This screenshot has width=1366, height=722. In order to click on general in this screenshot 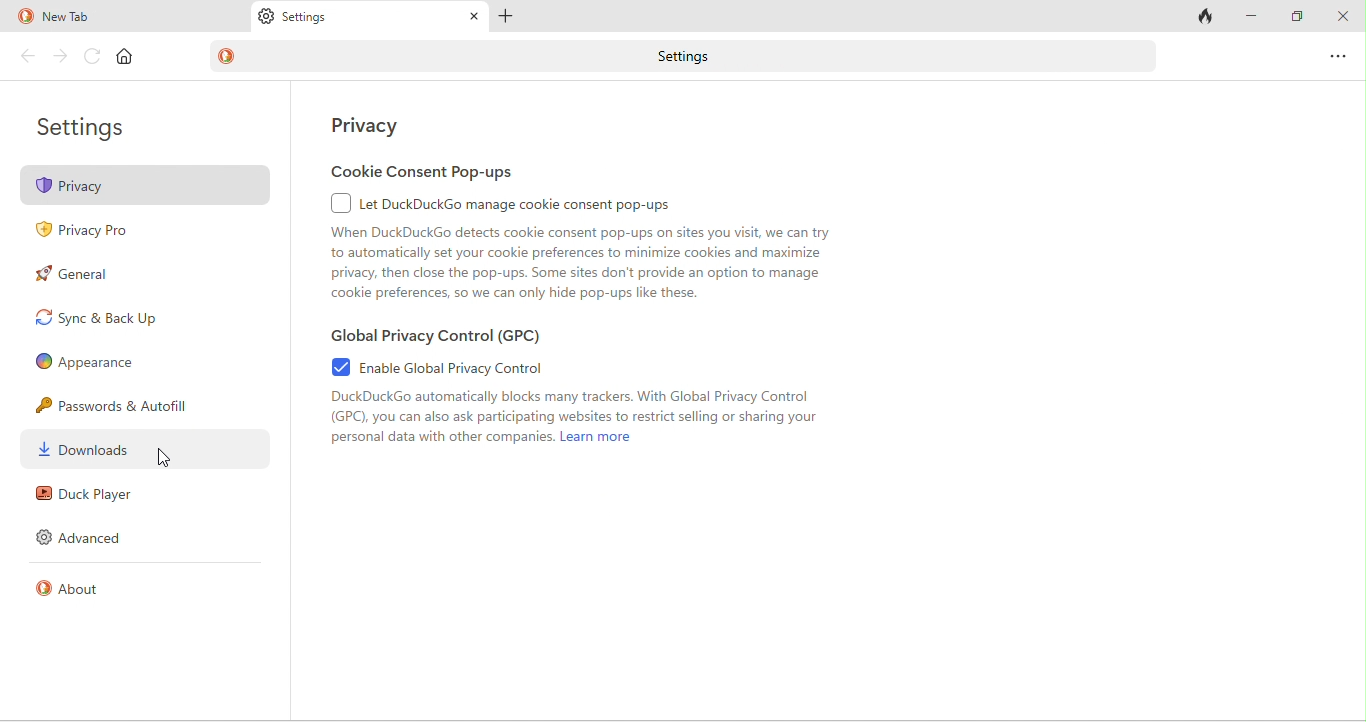, I will do `click(85, 276)`.